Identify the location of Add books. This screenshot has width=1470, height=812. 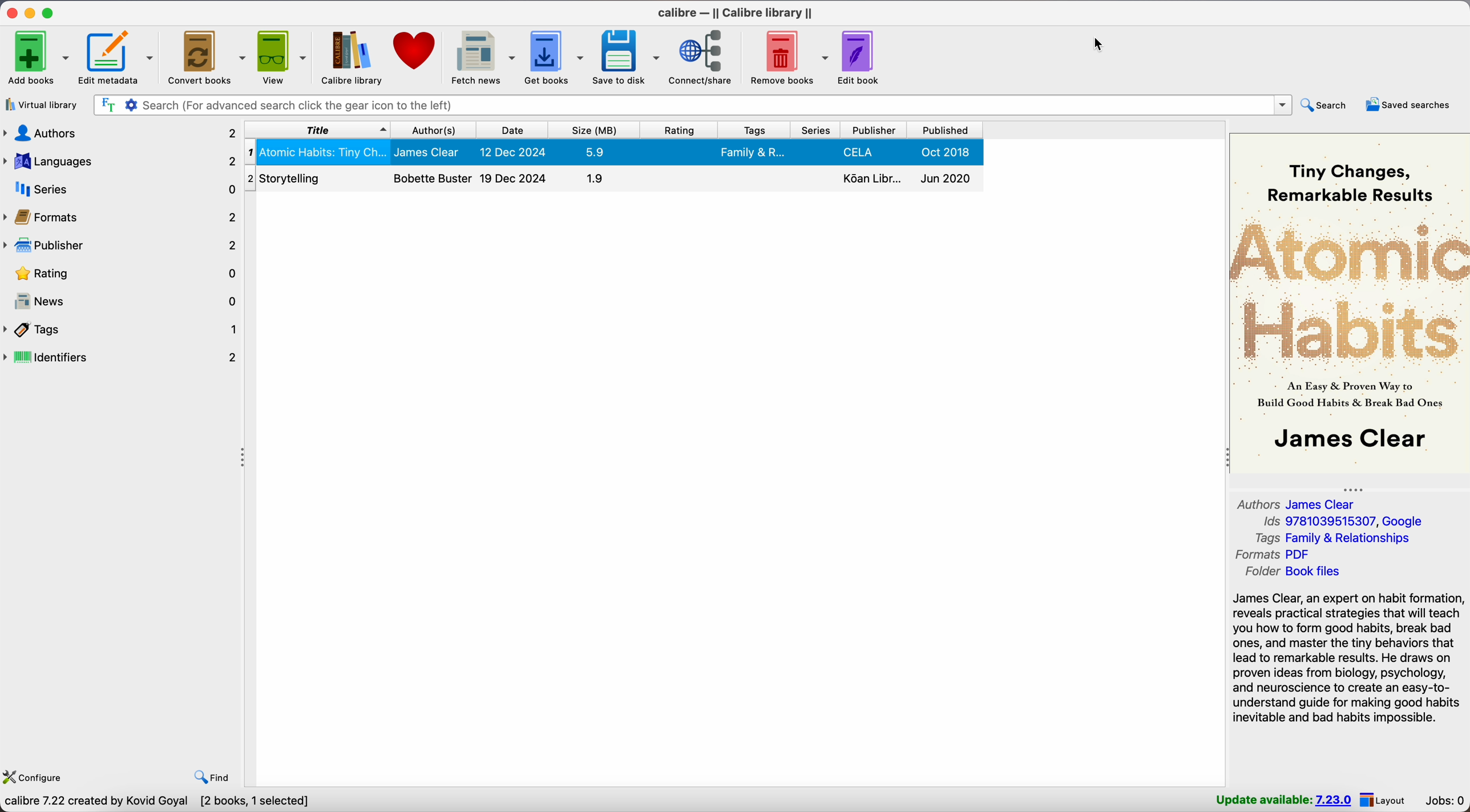
(37, 56).